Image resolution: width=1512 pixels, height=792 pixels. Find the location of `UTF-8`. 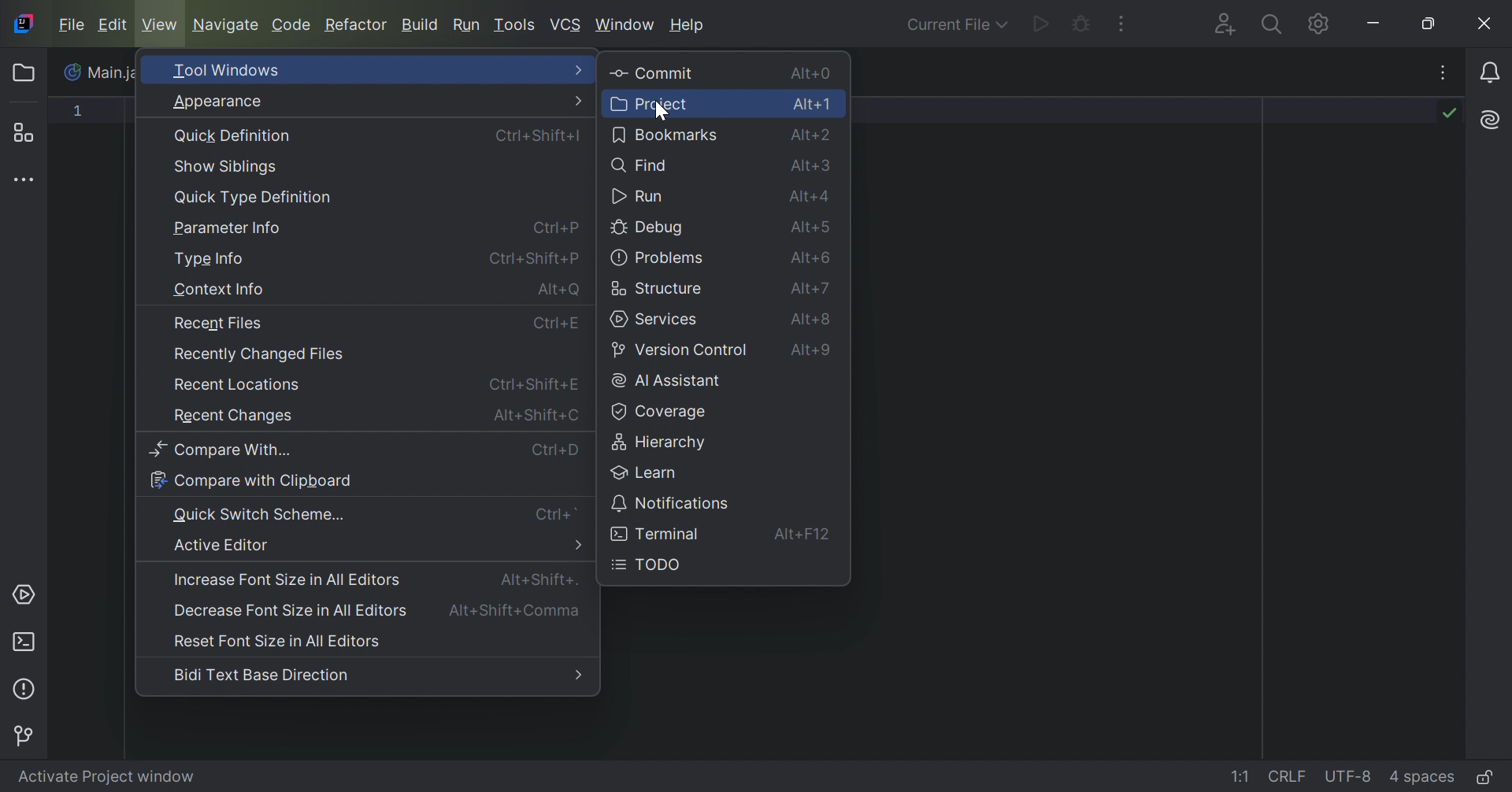

UTF-8 is located at coordinates (1349, 778).